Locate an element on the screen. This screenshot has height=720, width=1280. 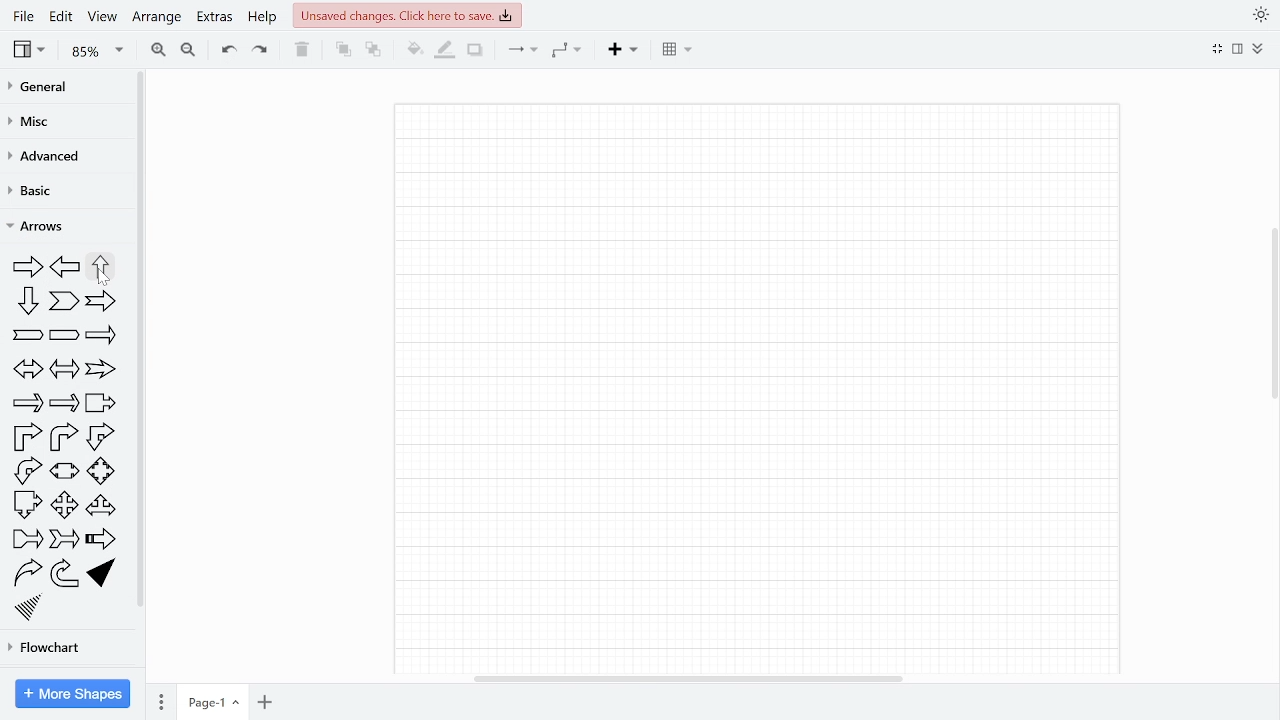
Redo is located at coordinates (261, 51).